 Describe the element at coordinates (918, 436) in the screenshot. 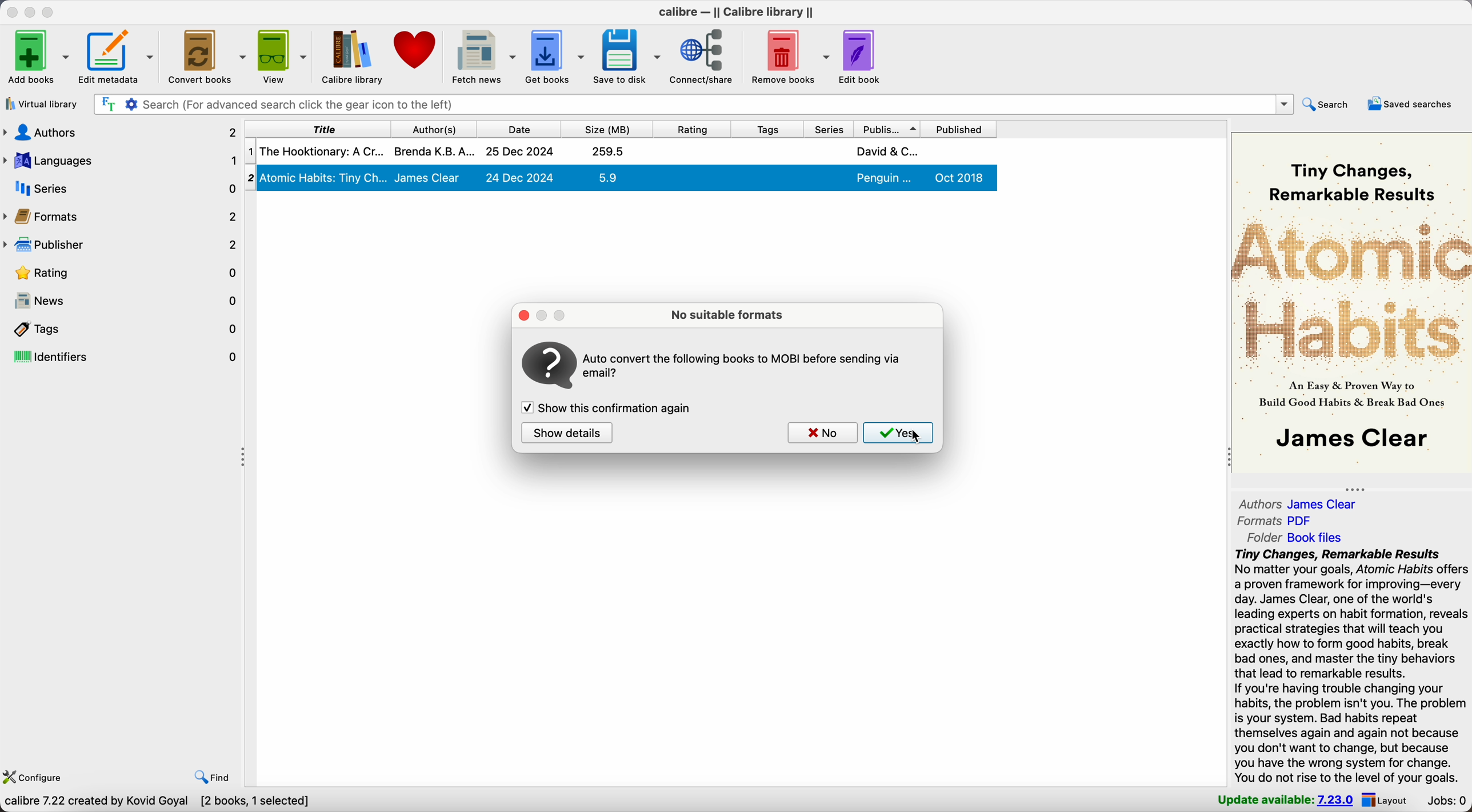

I see `Cursor` at that location.